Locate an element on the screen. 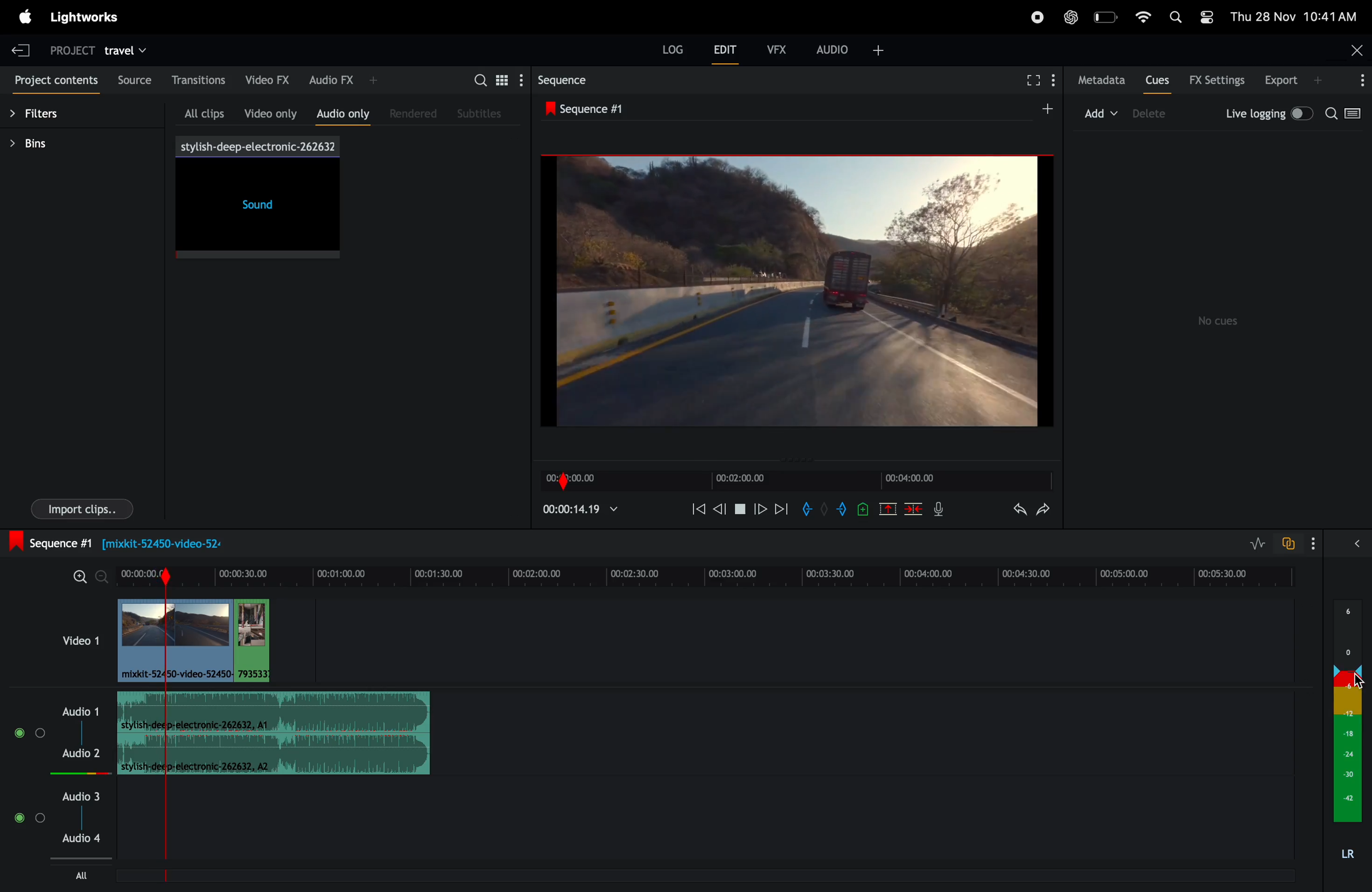 This screenshot has width=1372, height=892. add sequence is located at coordinates (1047, 109).